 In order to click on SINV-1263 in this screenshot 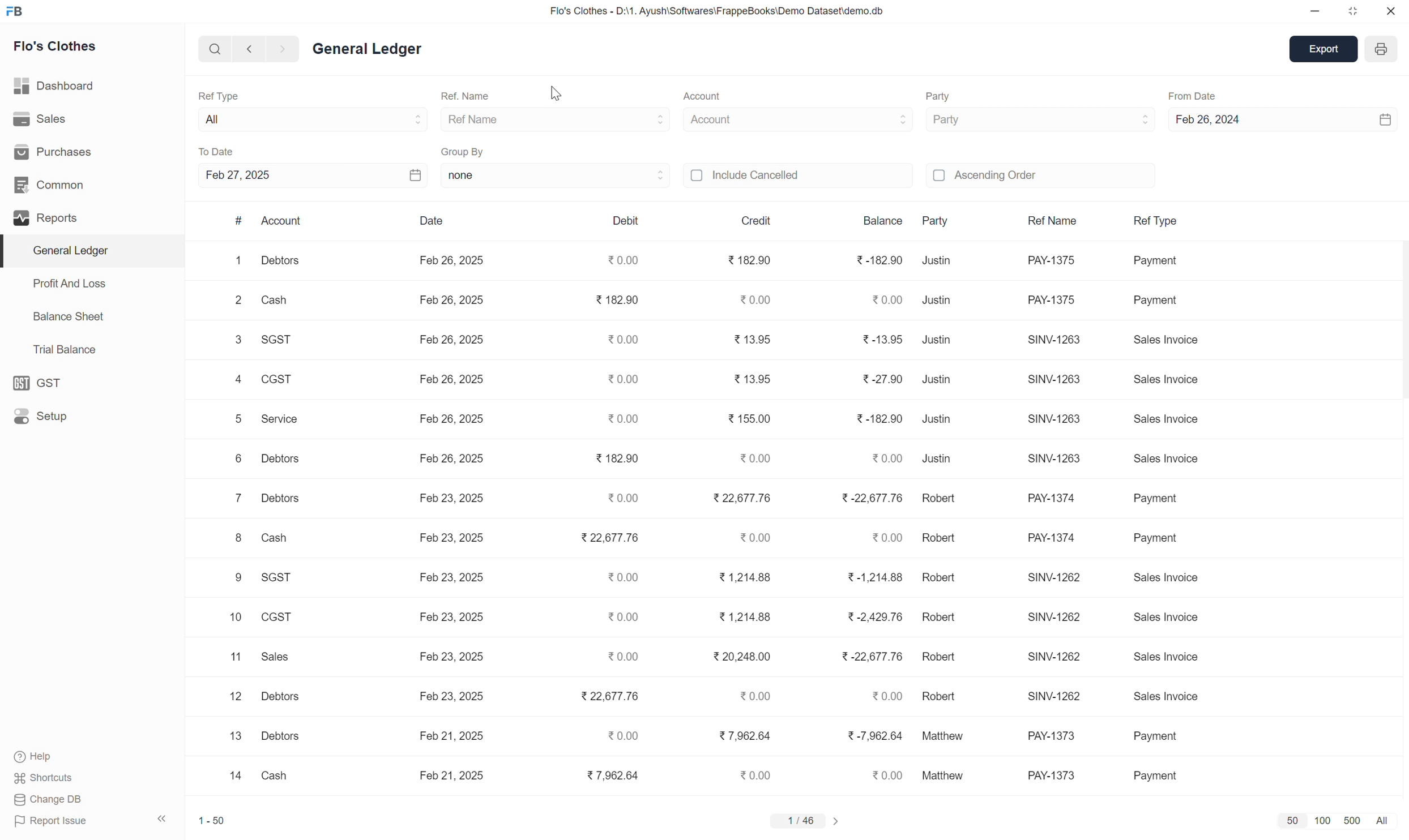, I will do `click(1052, 340)`.